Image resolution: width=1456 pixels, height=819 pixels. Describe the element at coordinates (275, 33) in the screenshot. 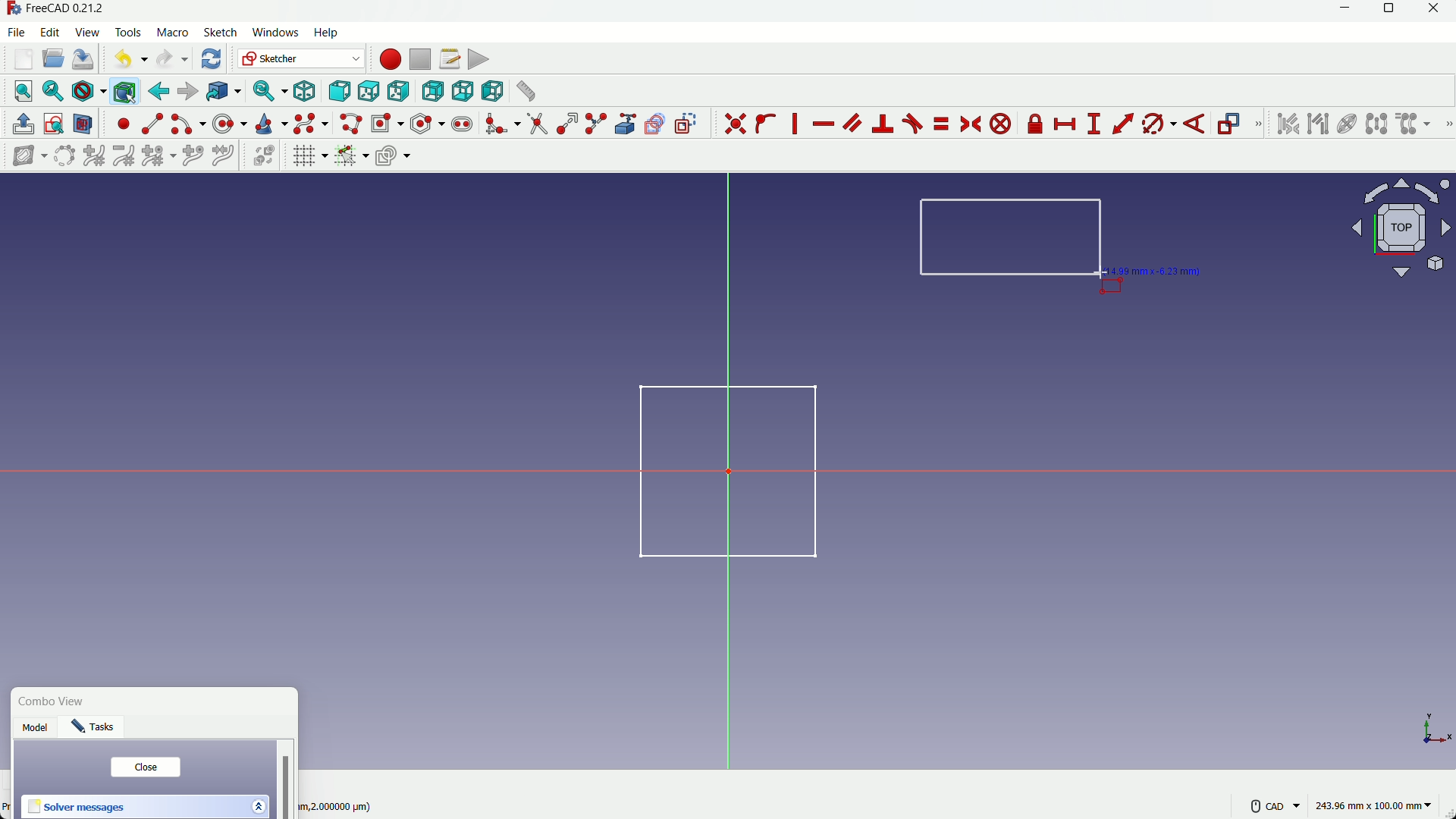

I see `windows menu` at that location.